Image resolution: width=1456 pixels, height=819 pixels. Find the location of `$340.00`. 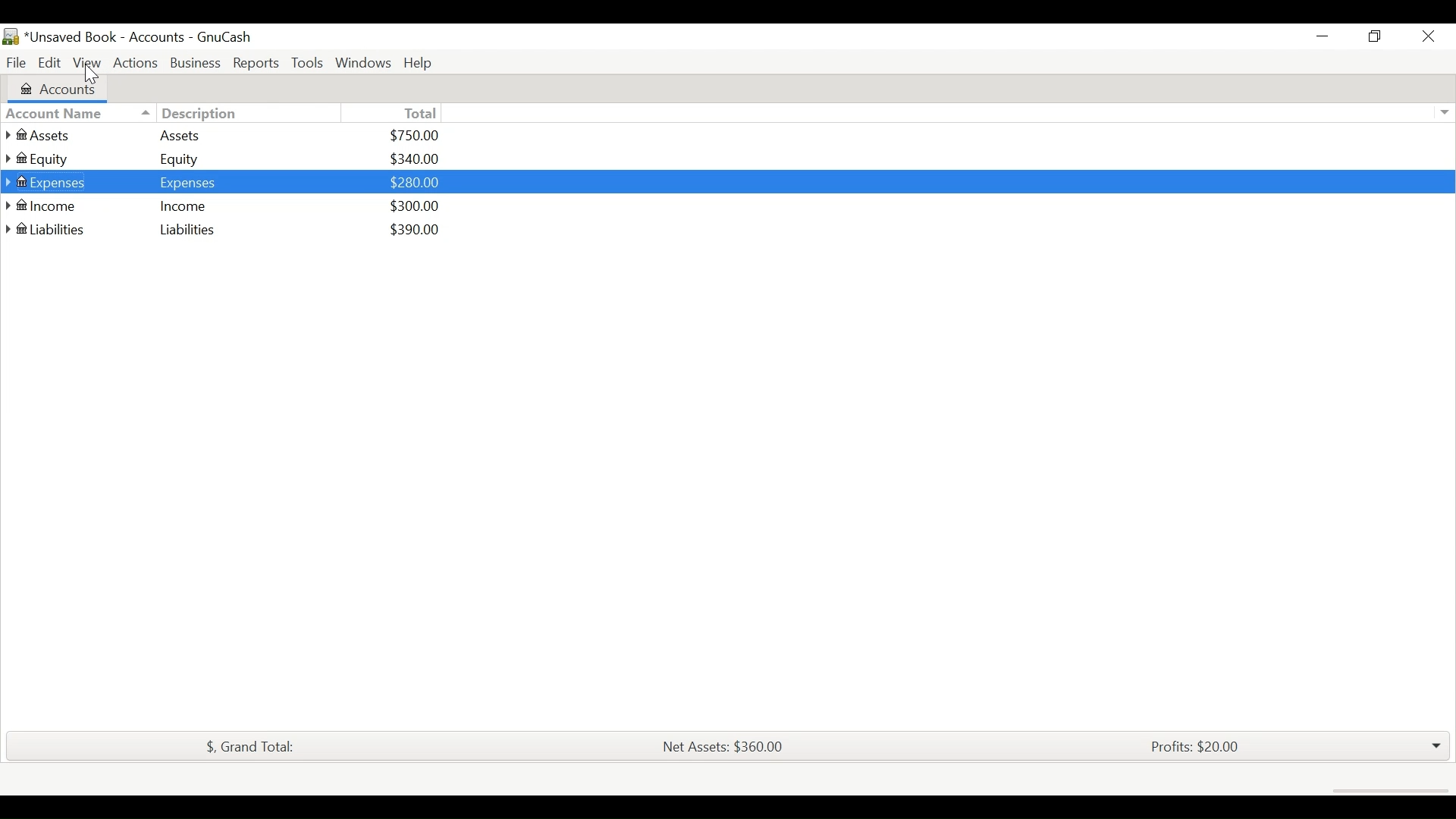

$340.00 is located at coordinates (416, 158).